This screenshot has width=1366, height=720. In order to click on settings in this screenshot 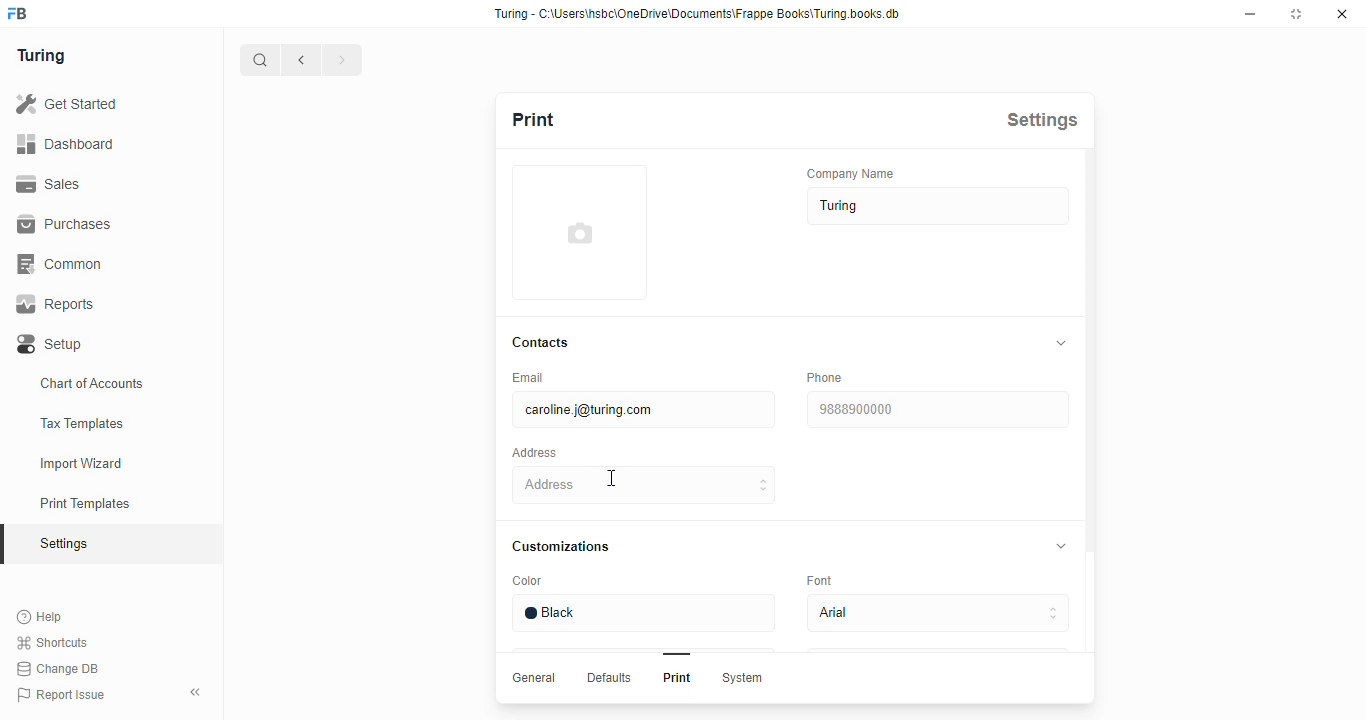, I will do `click(1042, 120)`.